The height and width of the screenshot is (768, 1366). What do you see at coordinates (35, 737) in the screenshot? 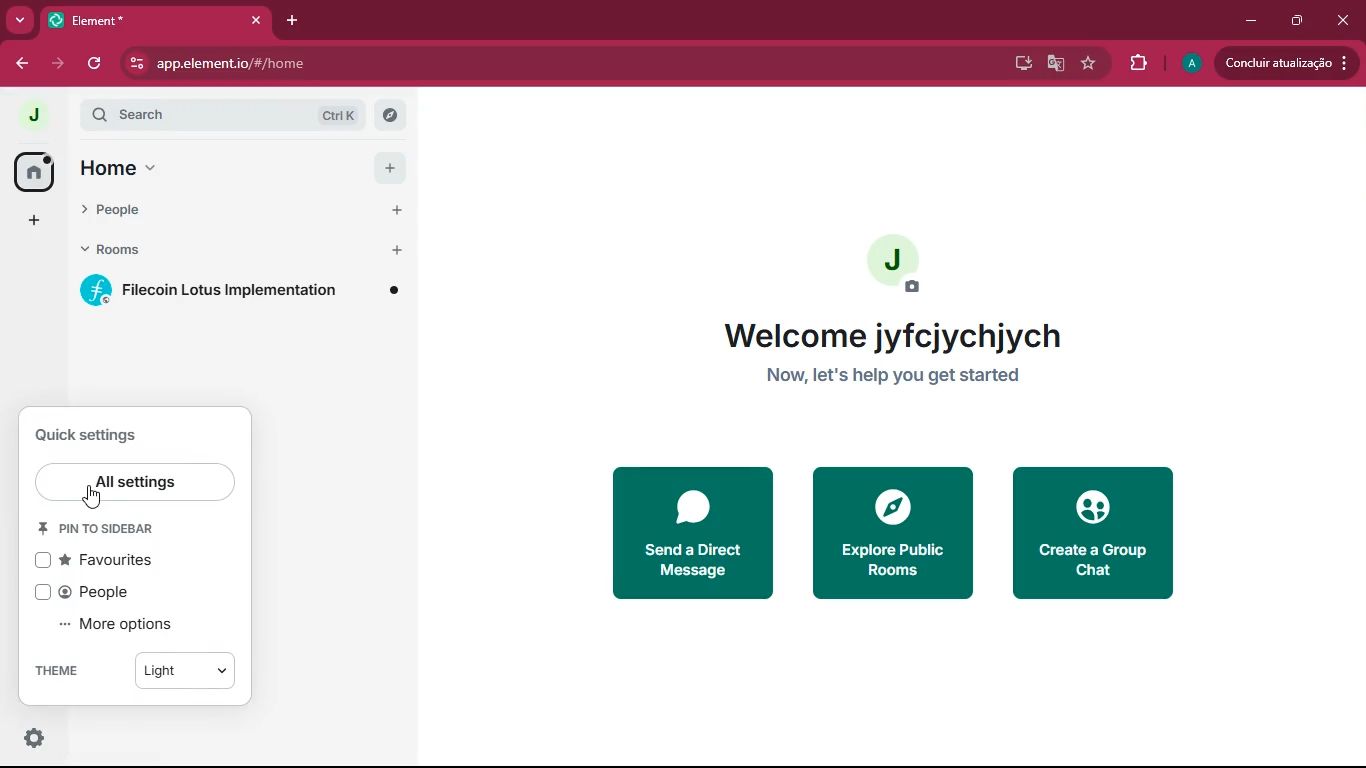
I see `quick settings` at bounding box center [35, 737].